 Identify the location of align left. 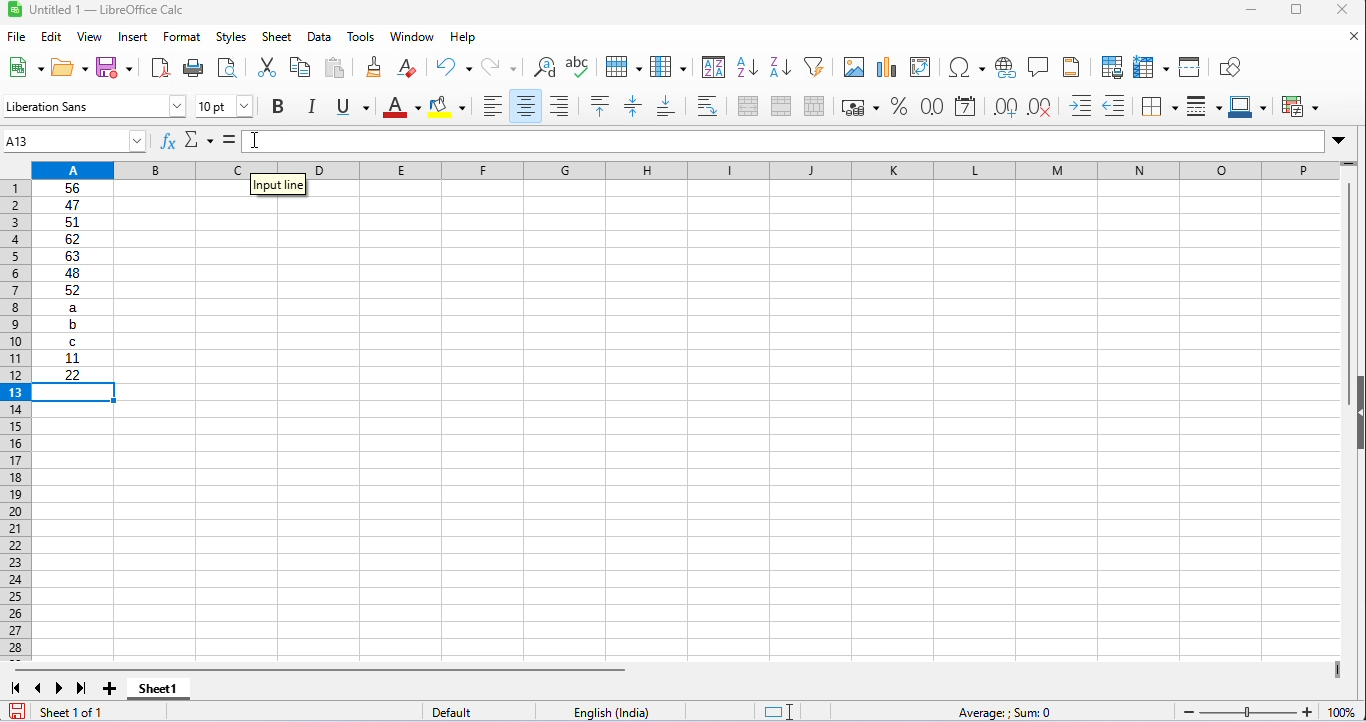
(490, 106).